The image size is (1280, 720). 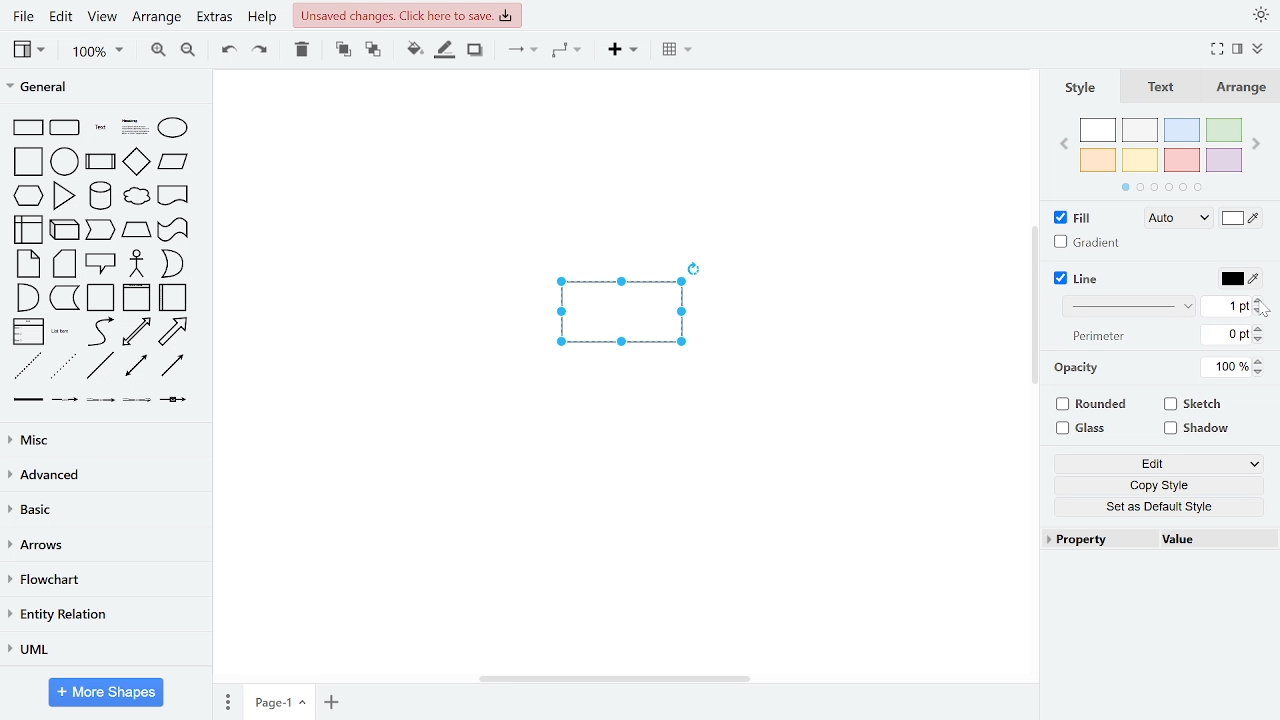 I want to click on waypoints, so click(x=569, y=52).